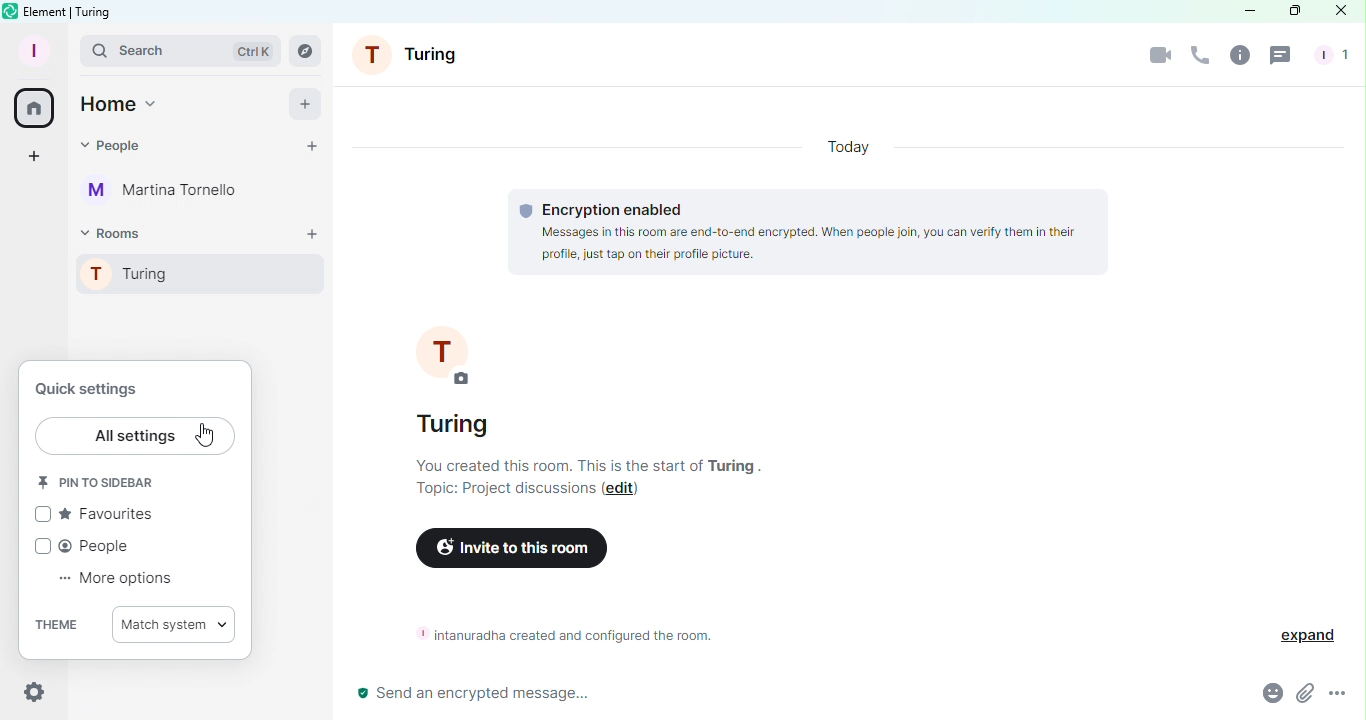  I want to click on Rooms, so click(121, 232).